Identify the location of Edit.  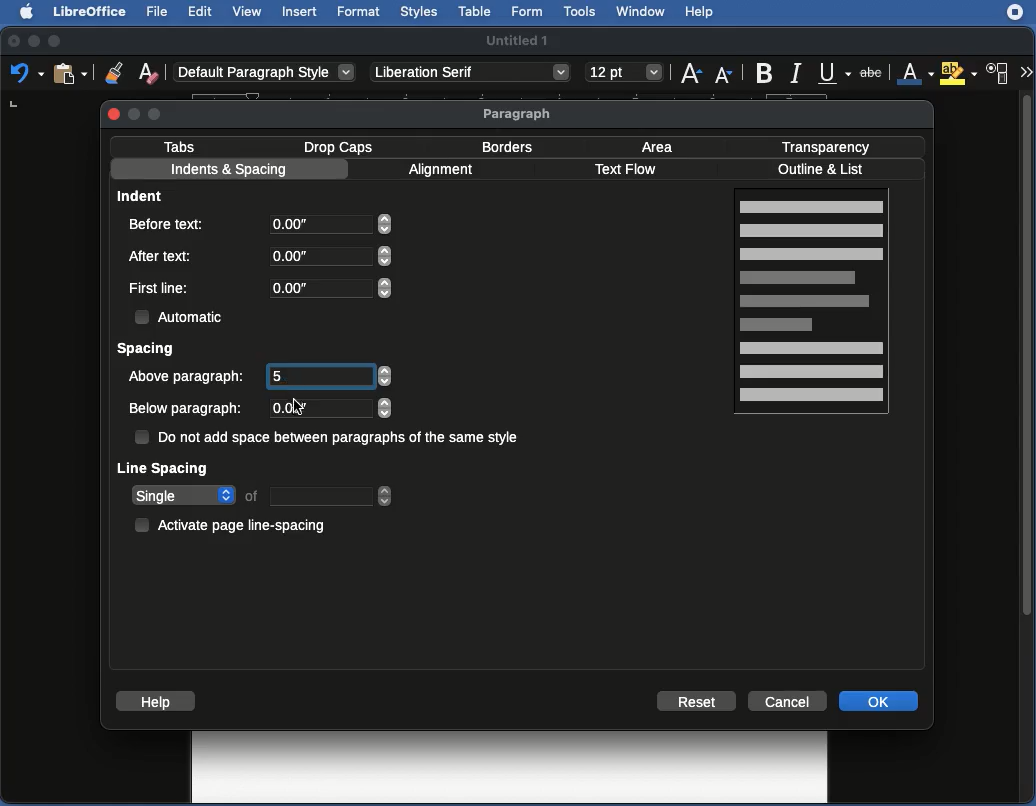
(201, 11).